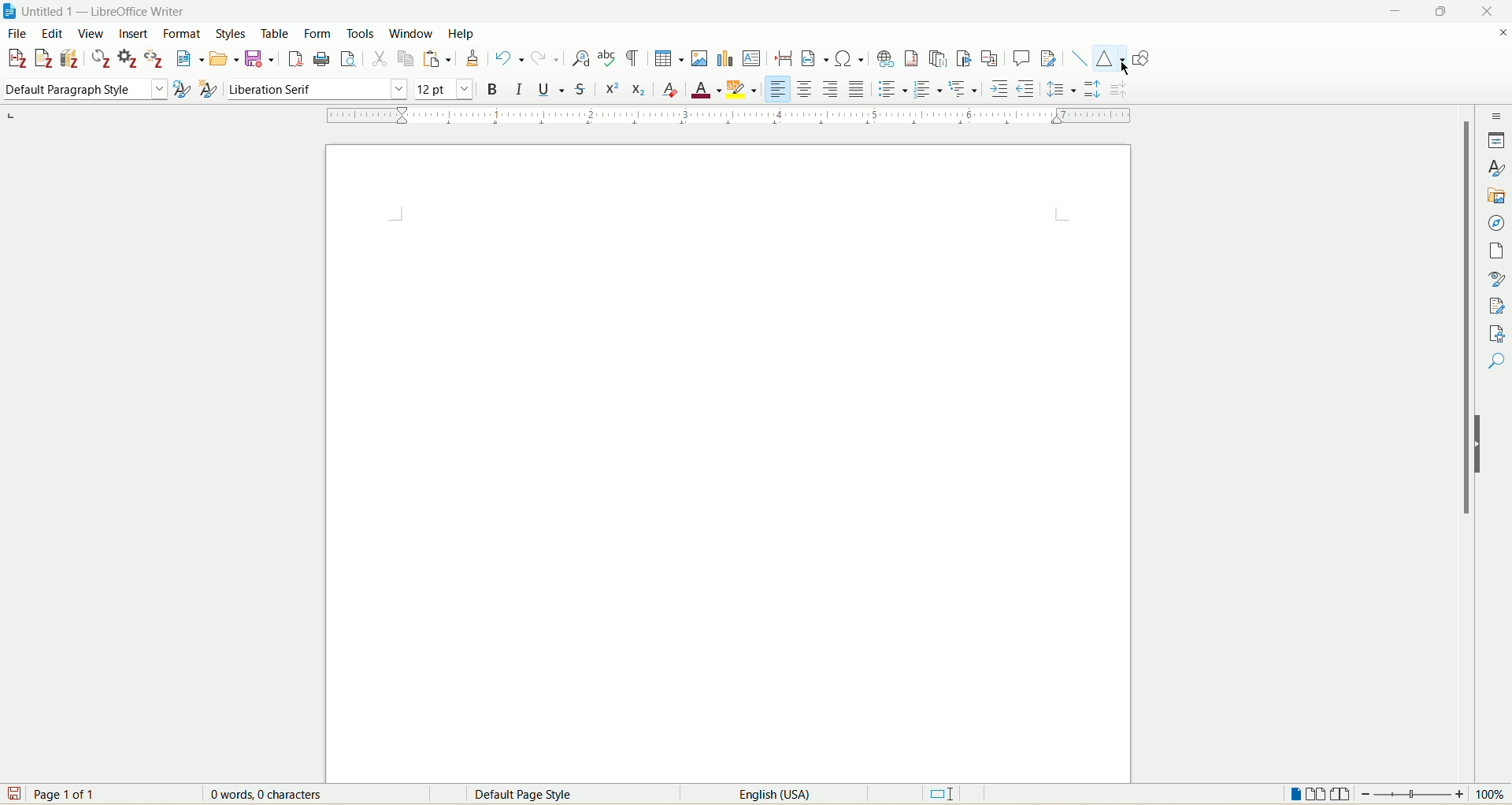 The image size is (1512, 805). Describe the element at coordinates (276, 794) in the screenshot. I see `0 words 0 characters` at that location.